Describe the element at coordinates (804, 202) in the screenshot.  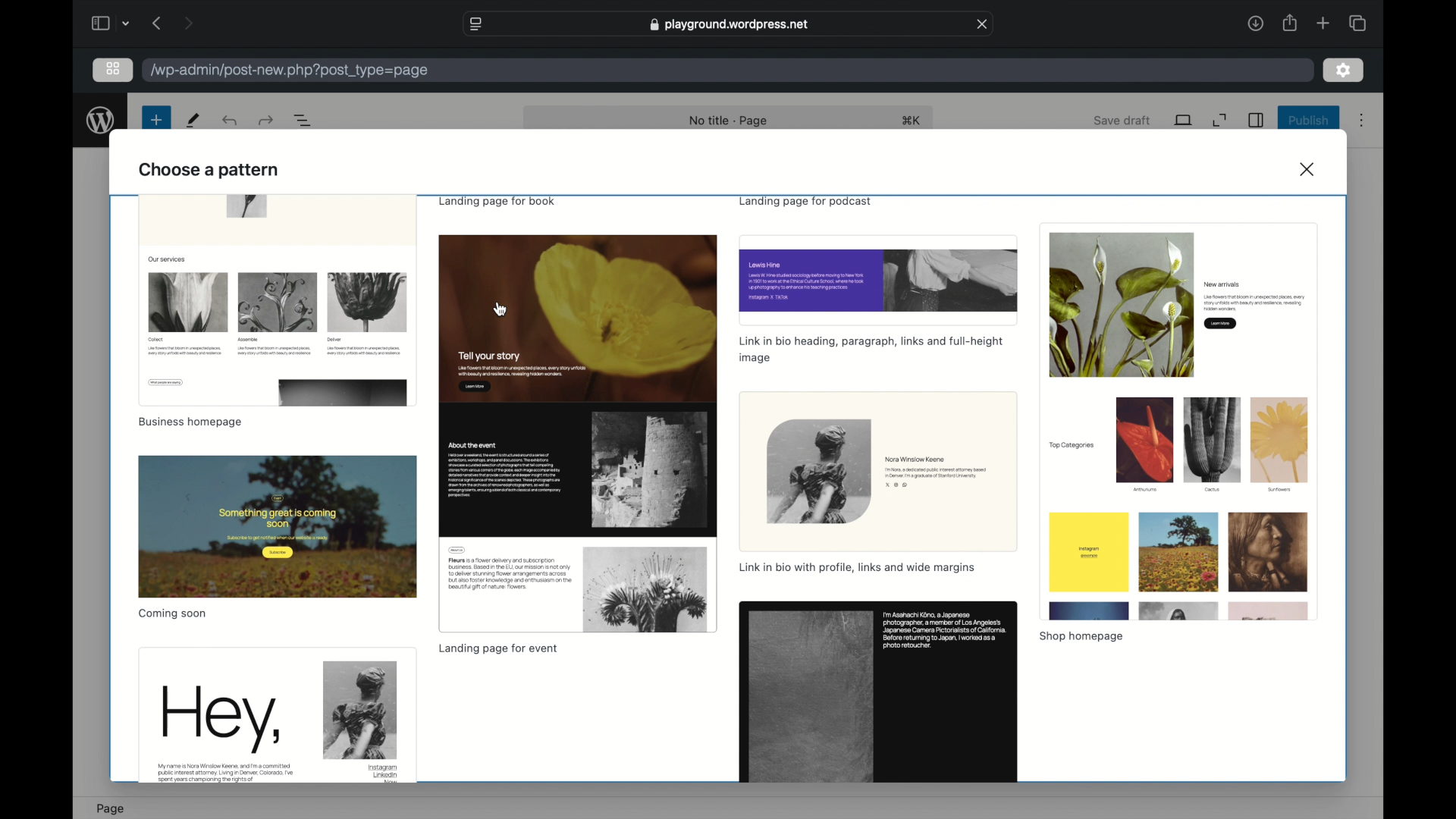
I see `landingpage for podcast` at that location.